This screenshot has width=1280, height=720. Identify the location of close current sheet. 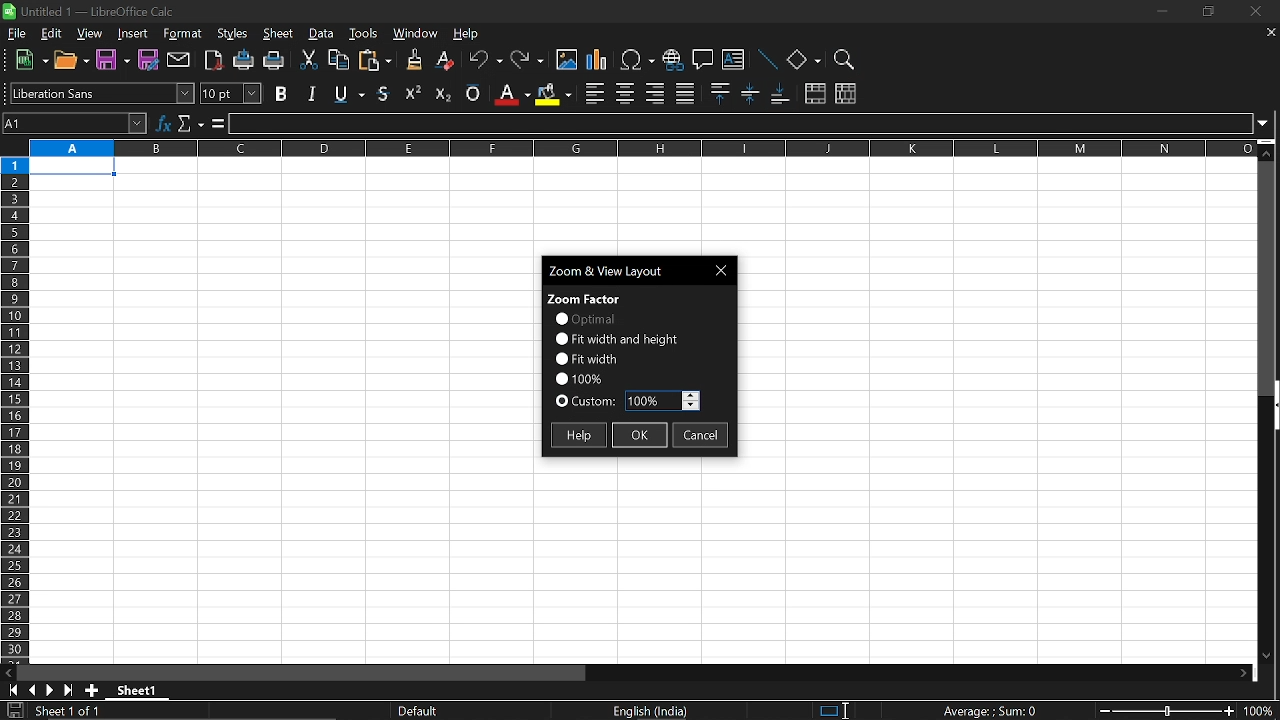
(1269, 34).